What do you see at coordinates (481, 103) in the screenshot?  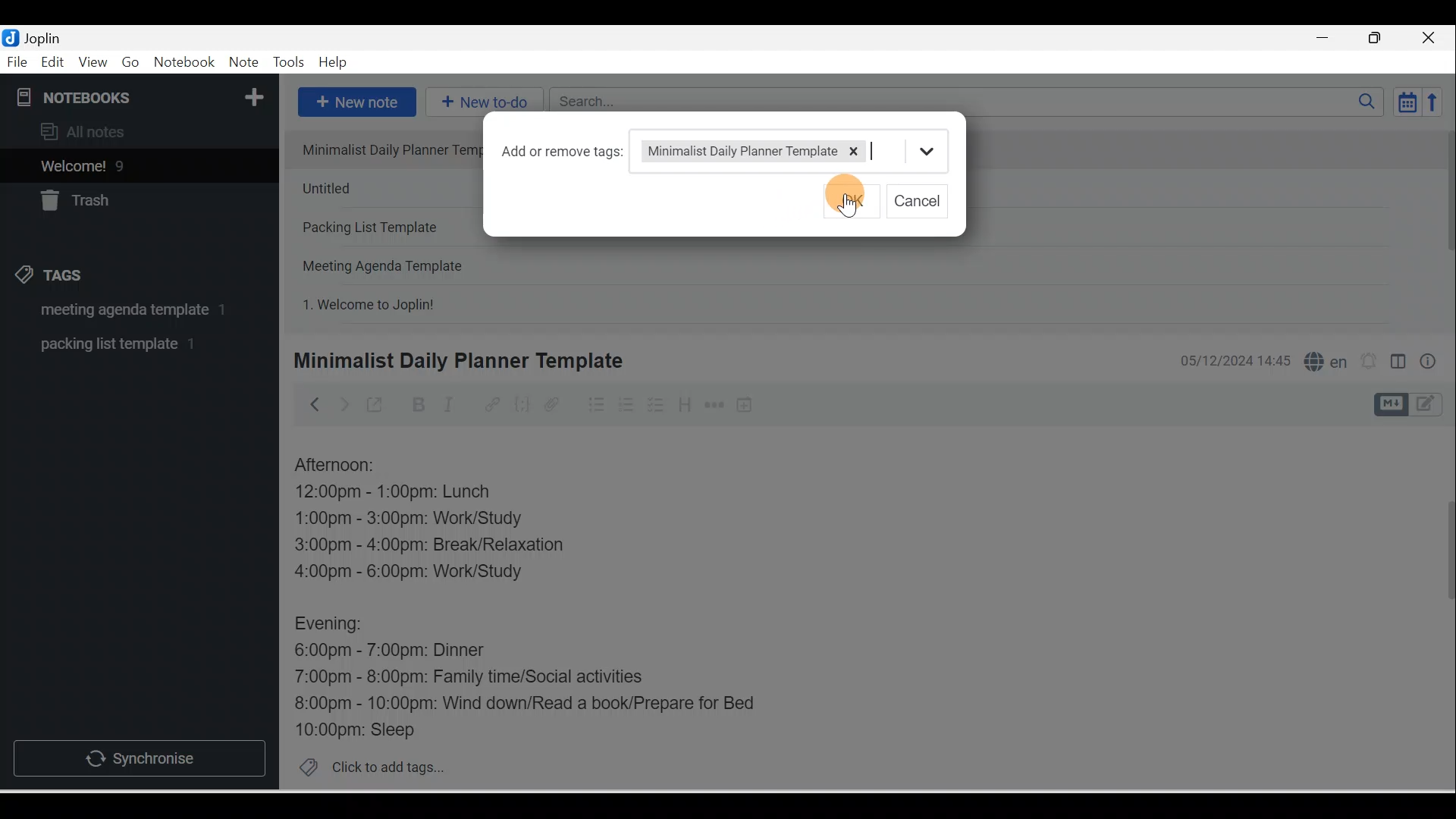 I see `New to-do` at bounding box center [481, 103].